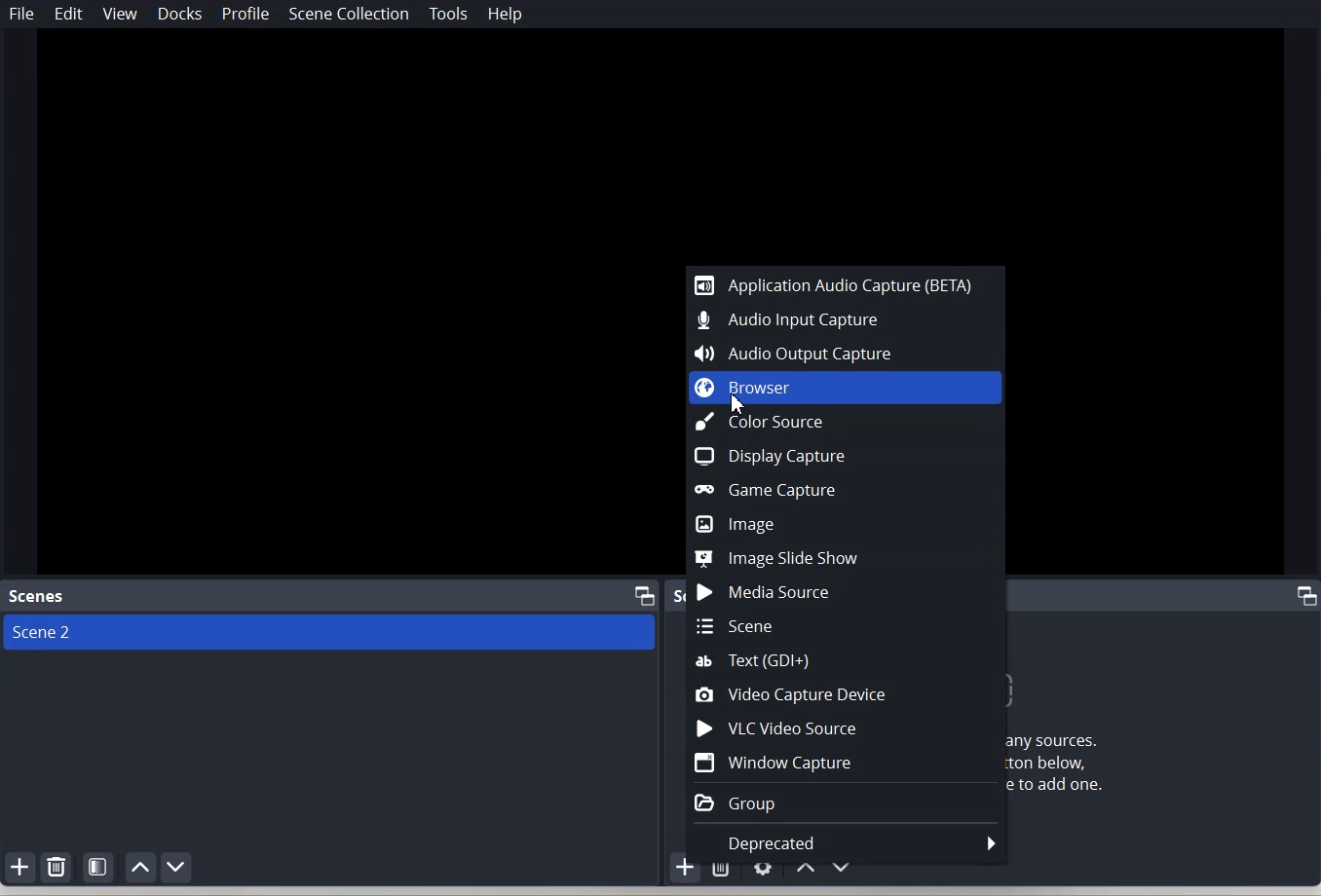  I want to click on Move scene Down, so click(177, 867).